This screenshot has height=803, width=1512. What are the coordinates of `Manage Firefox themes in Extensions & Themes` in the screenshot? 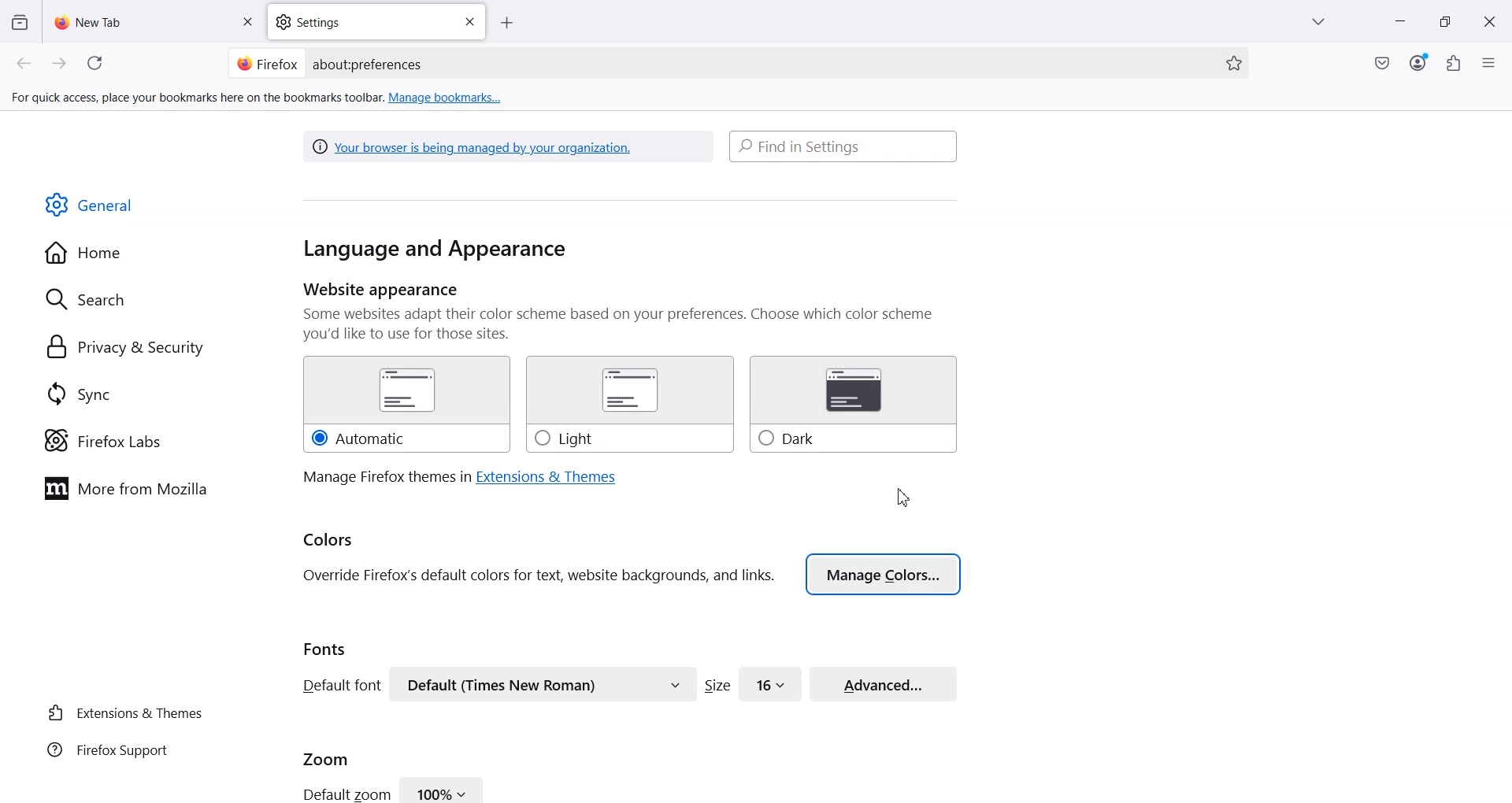 It's located at (459, 477).